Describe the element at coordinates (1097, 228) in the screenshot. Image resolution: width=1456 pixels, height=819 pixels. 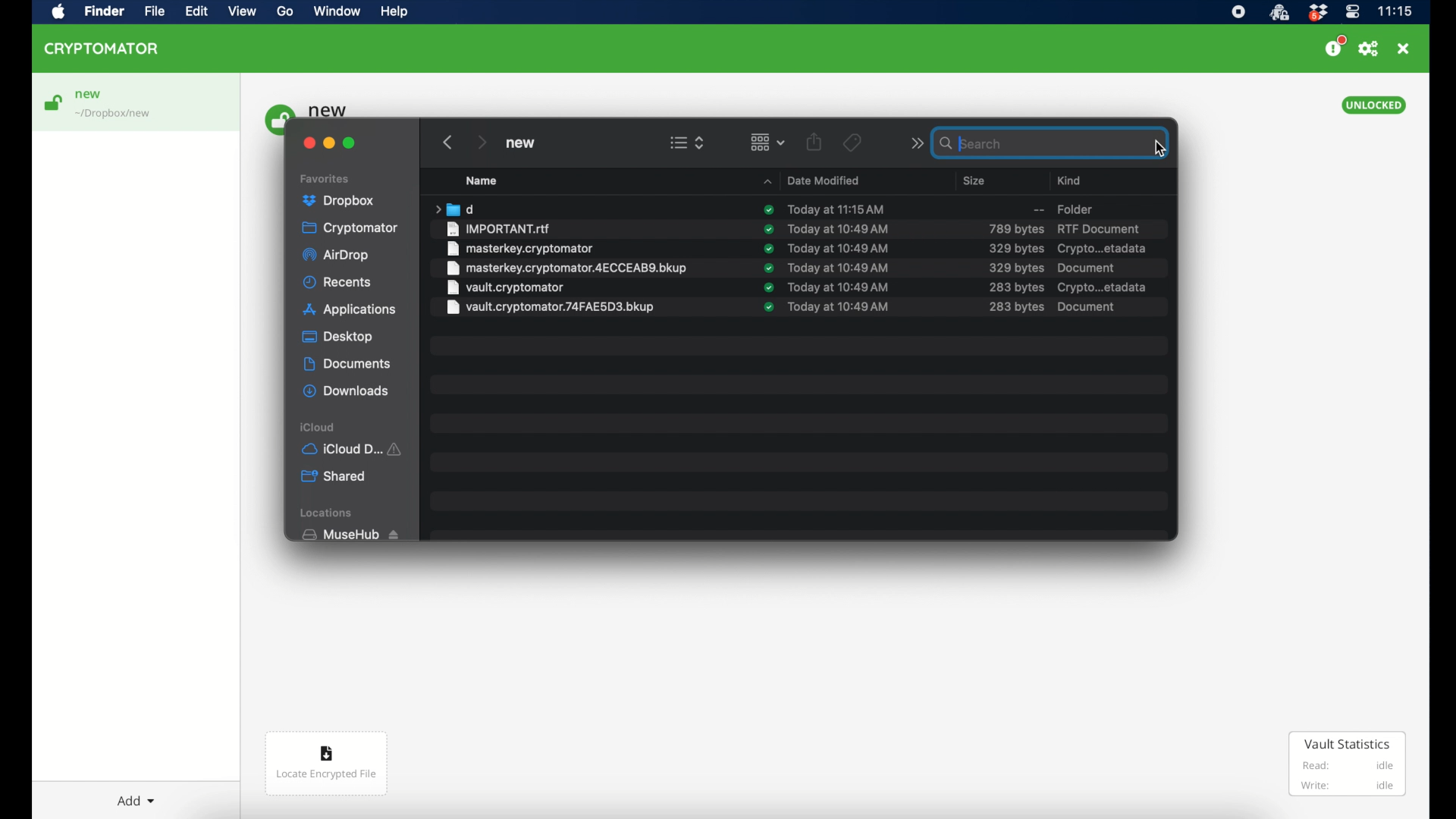
I see `rtf document` at that location.